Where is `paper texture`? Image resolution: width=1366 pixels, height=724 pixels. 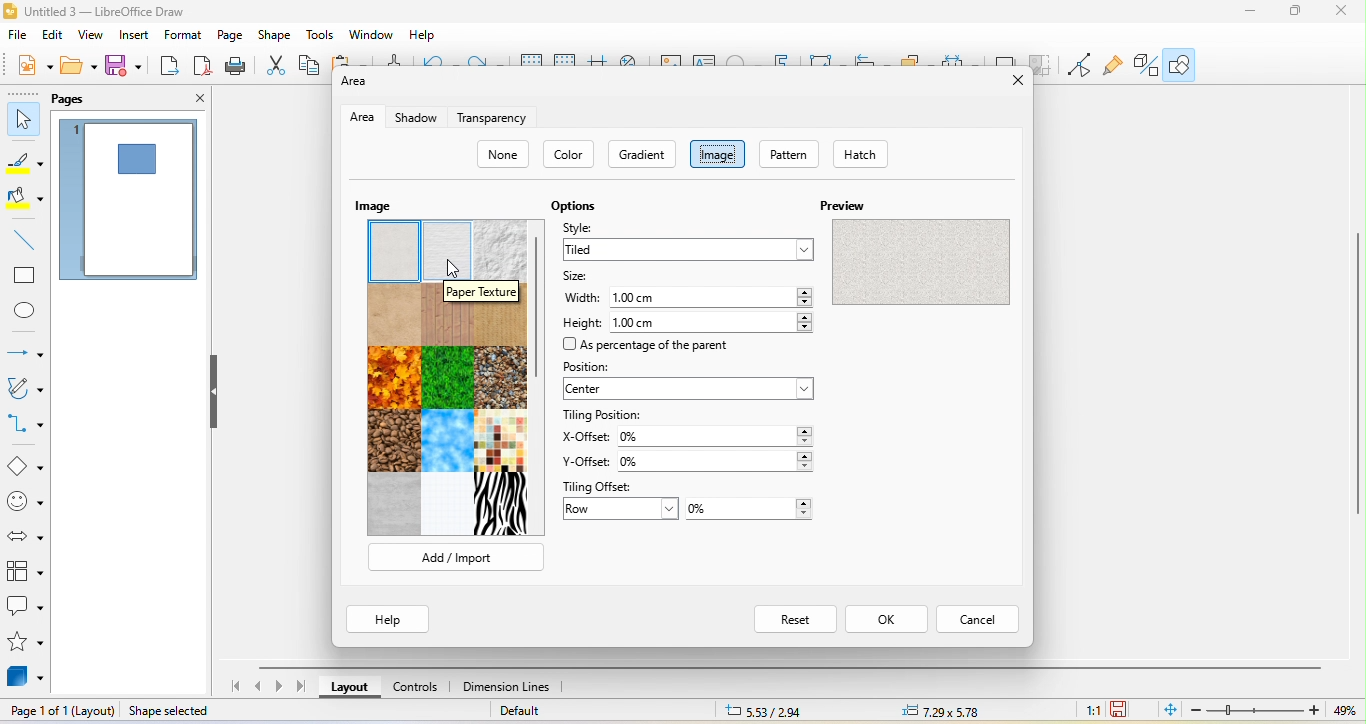
paper texture is located at coordinates (481, 292).